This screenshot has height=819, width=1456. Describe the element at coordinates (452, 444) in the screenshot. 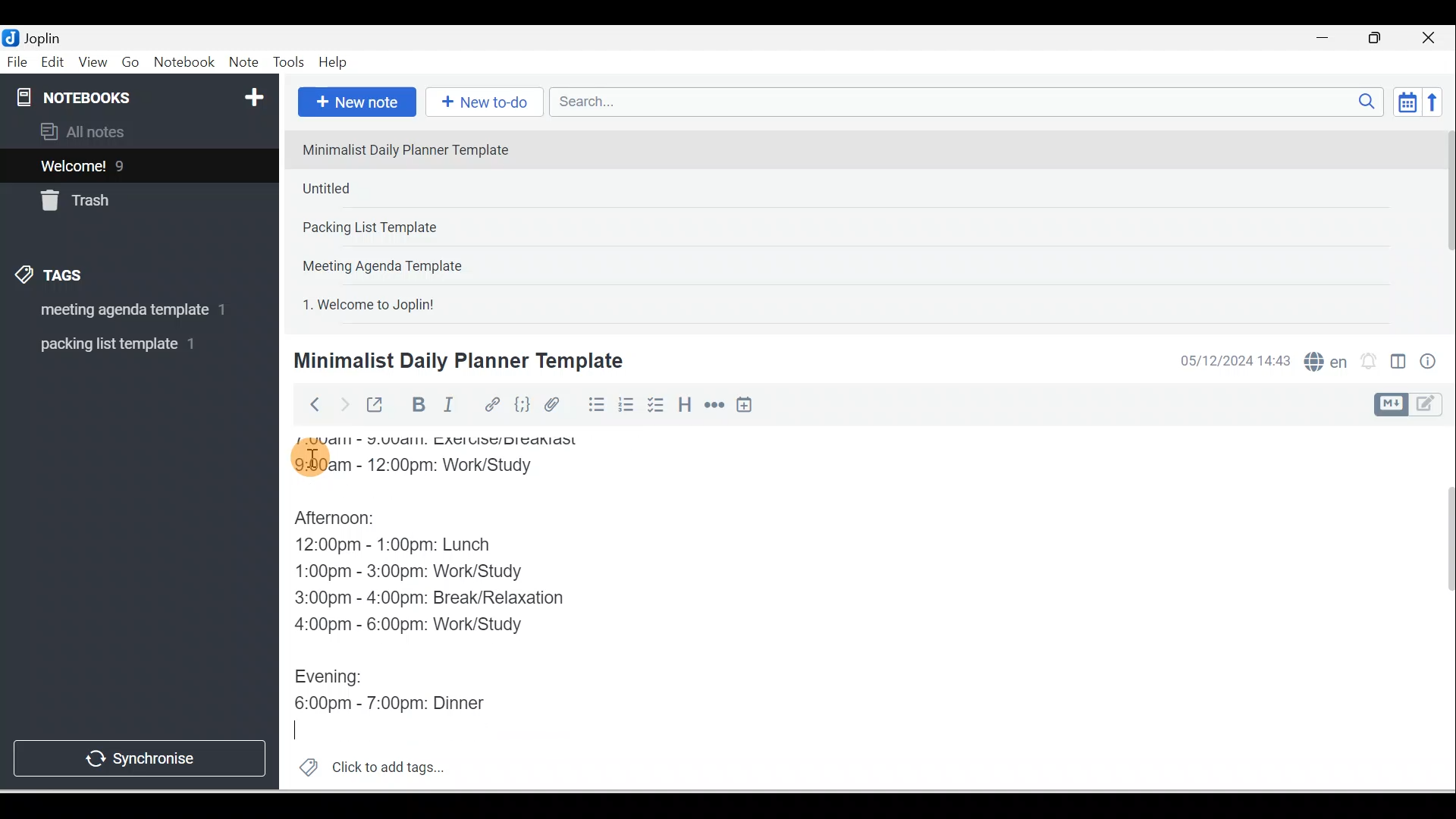

I see `7:00am - 9:00am: Exercise/Breakfast` at that location.